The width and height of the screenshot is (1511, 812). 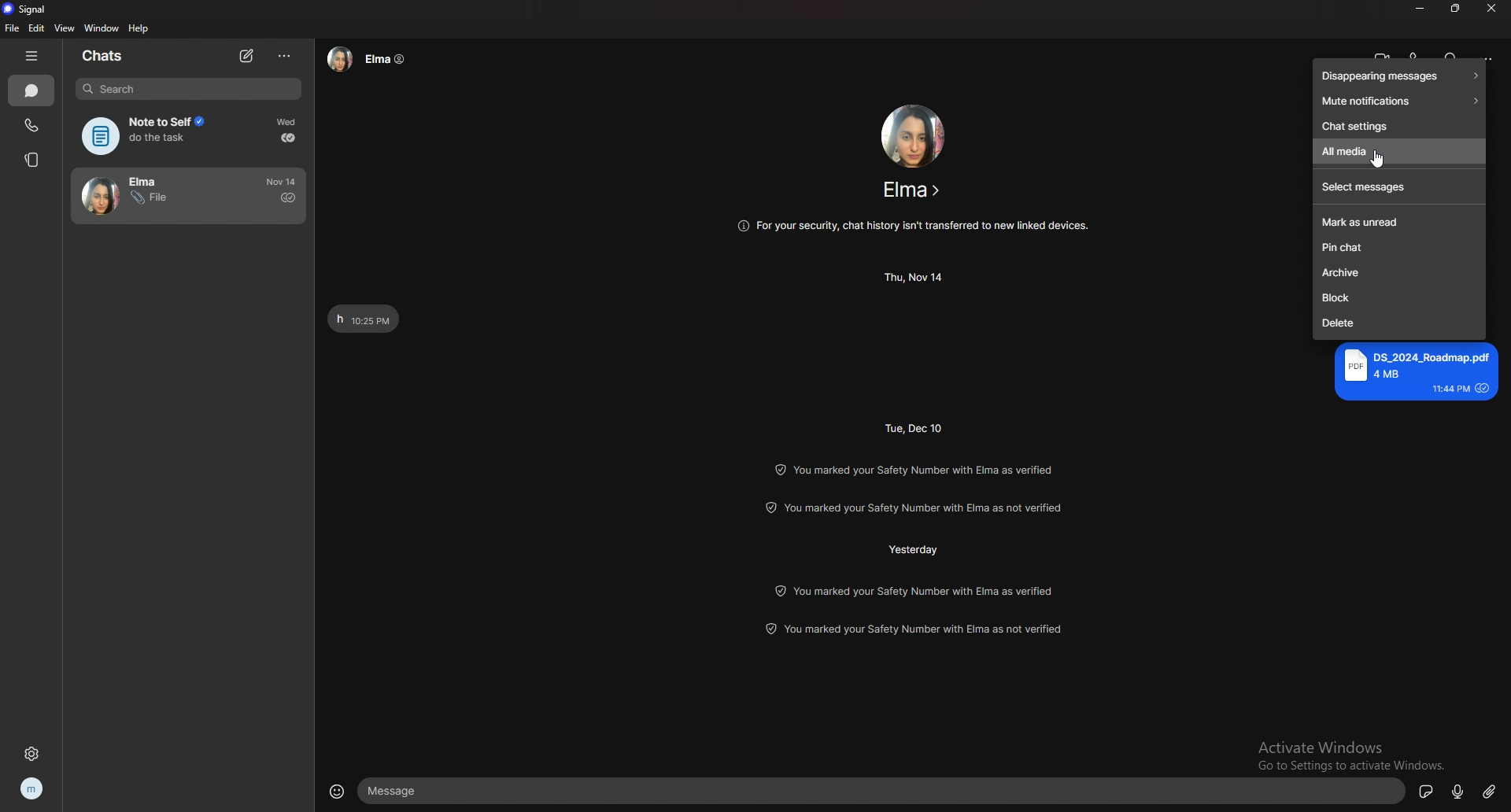 I want to click on time, so click(x=289, y=122).